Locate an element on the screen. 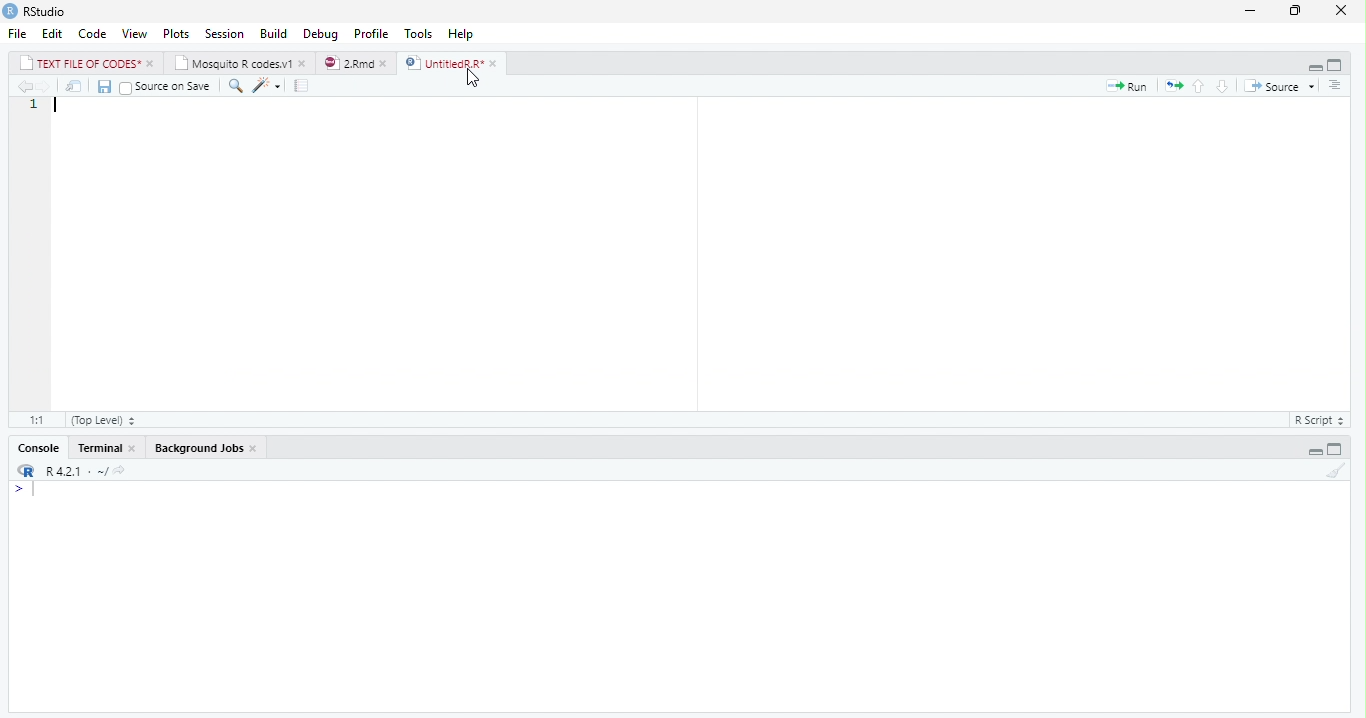  run current file is located at coordinates (1131, 87).